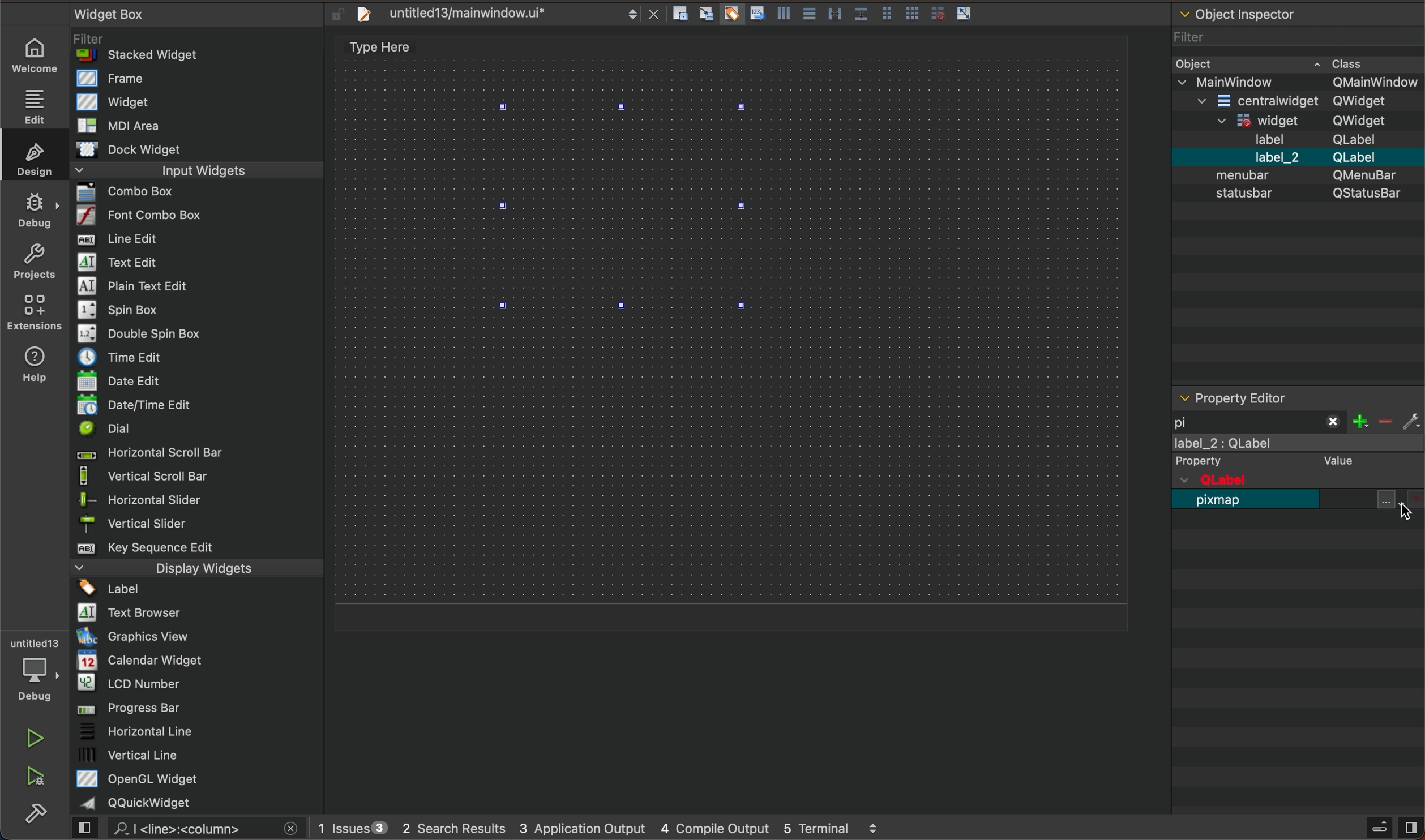 This screenshot has width=1425, height=840. Describe the element at coordinates (386, 48) in the screenshot. I see `type here` at that location.